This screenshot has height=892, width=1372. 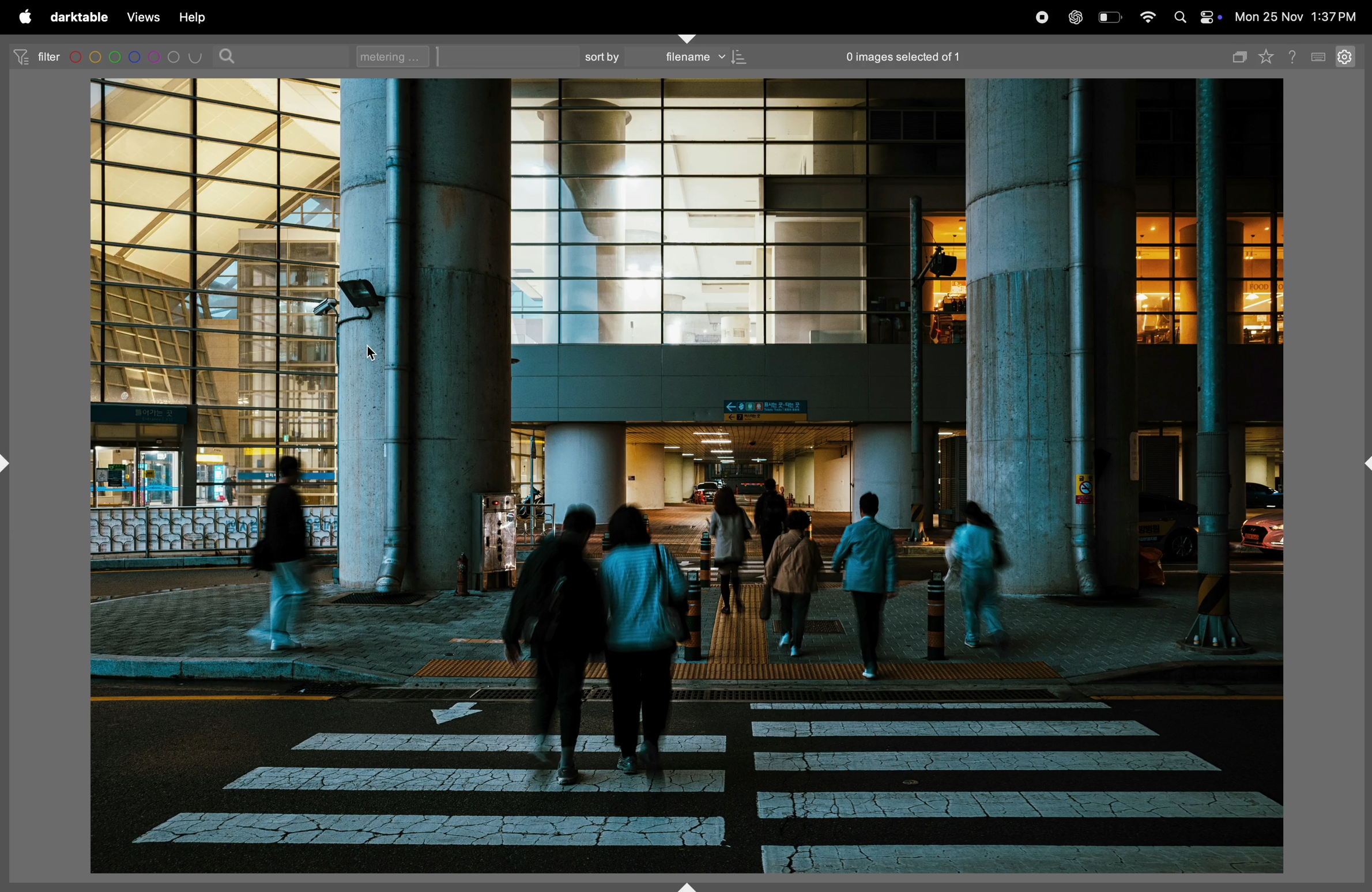 What do you see at coordinates (707, 58) in the screenshot?
I see `file name` at bounding box center [707, 58].